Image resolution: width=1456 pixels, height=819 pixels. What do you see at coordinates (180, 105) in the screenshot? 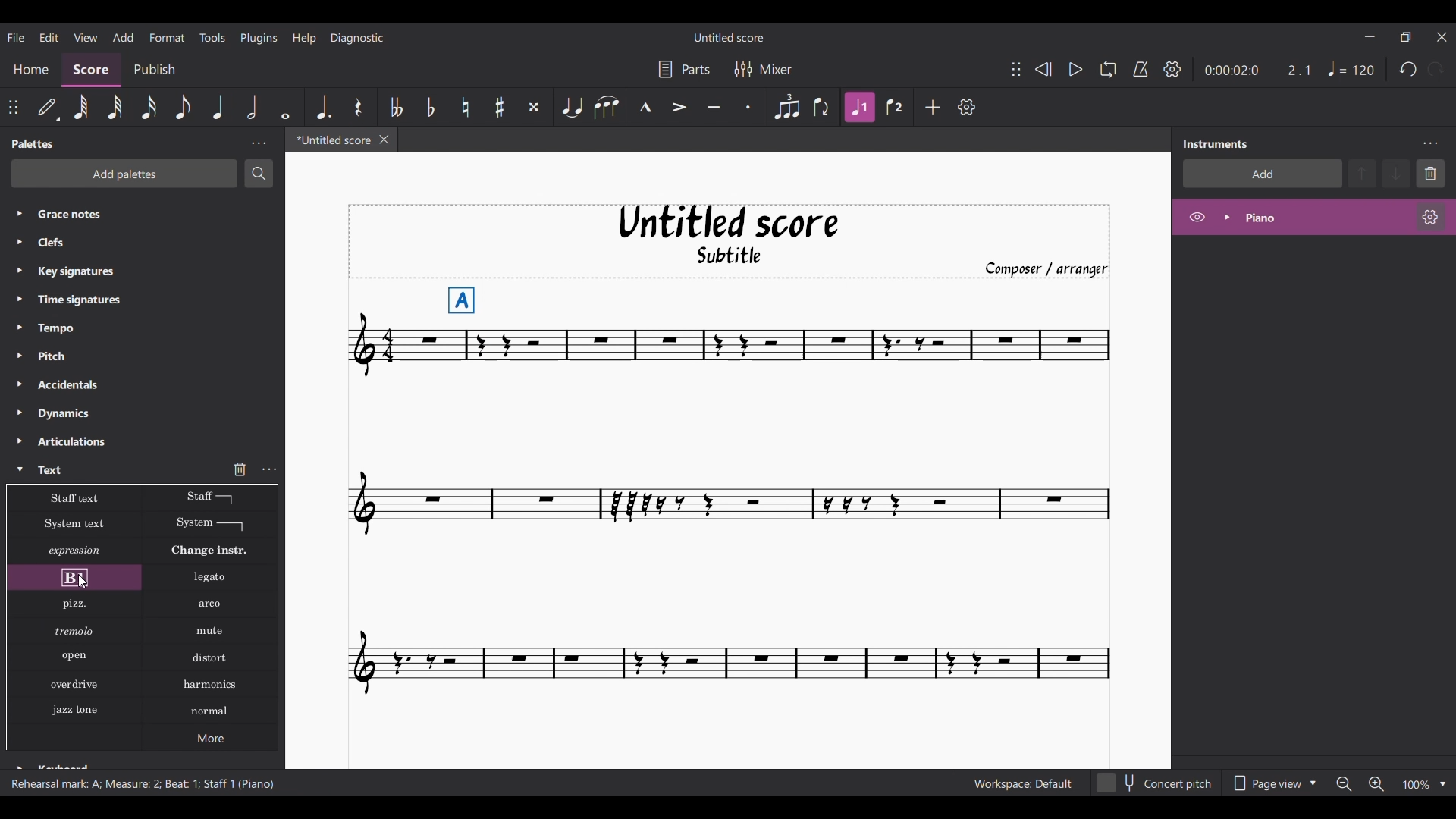
I see `8th note` at bounding box center [180, 105].